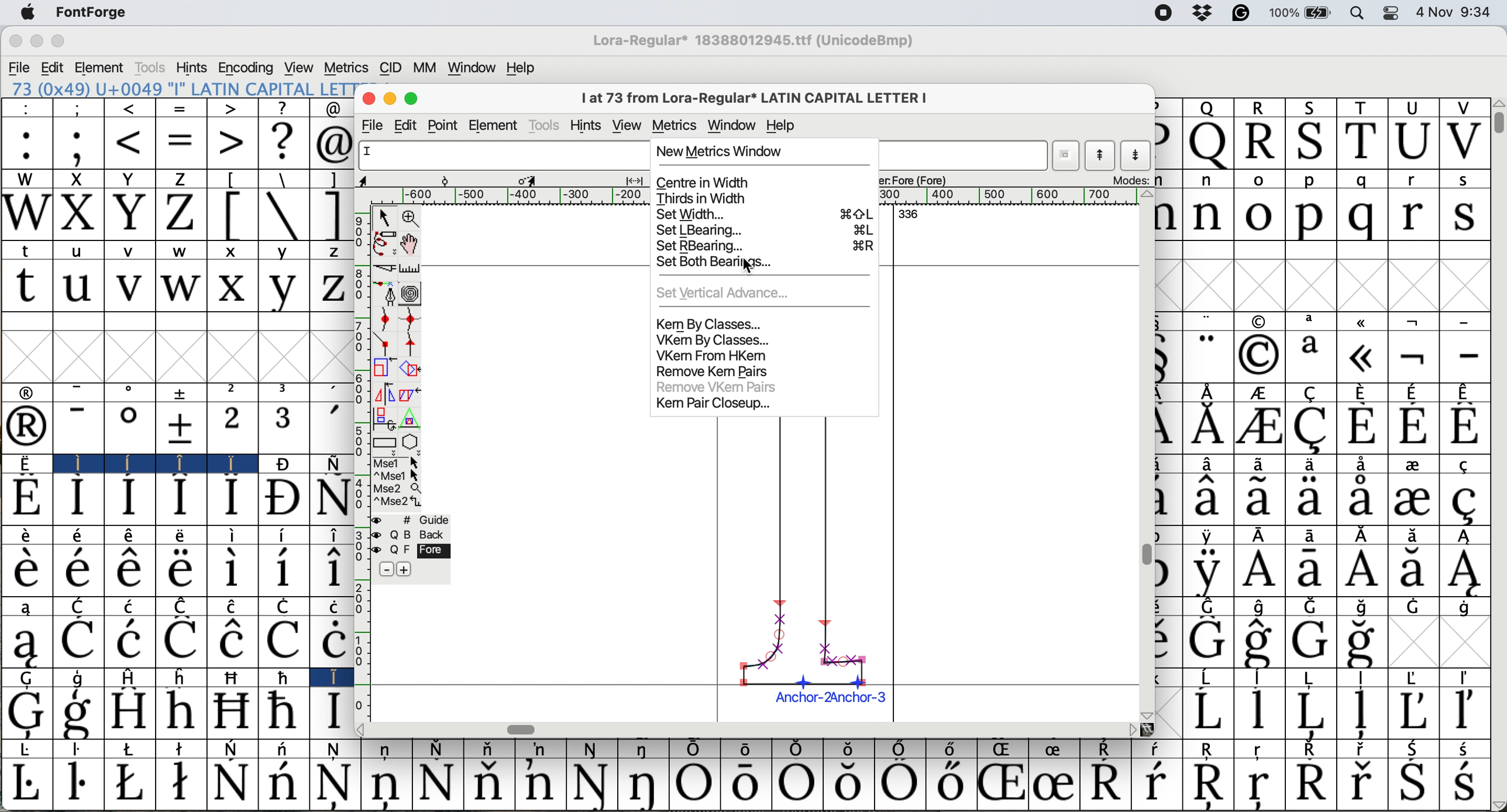 Image resolution: width=1507 pixels, height=812 pixels. What do you see at coordinates (232, 536) in the screenshot?
I see `Symbol` at bounding box center [232, 536].